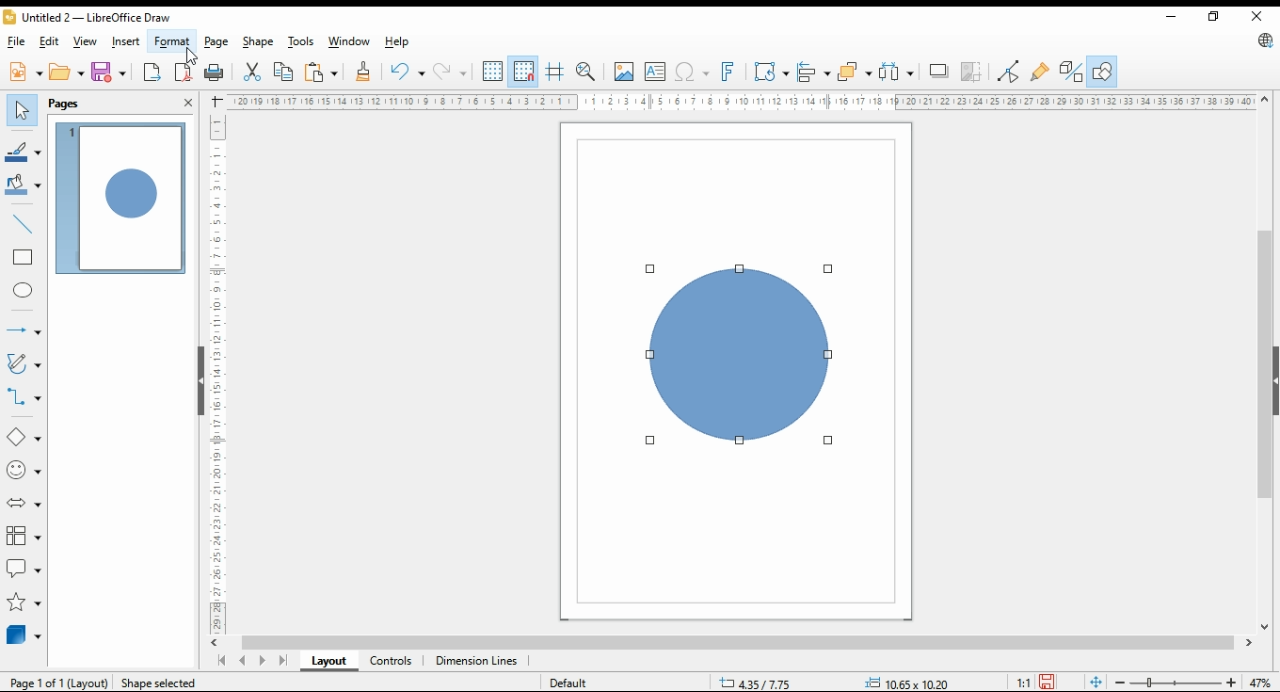 This screenshot has height=692, width=1280. Describe the element at coordinates (1258, 680) in the screenshot. I see `zoom factor` at that location.